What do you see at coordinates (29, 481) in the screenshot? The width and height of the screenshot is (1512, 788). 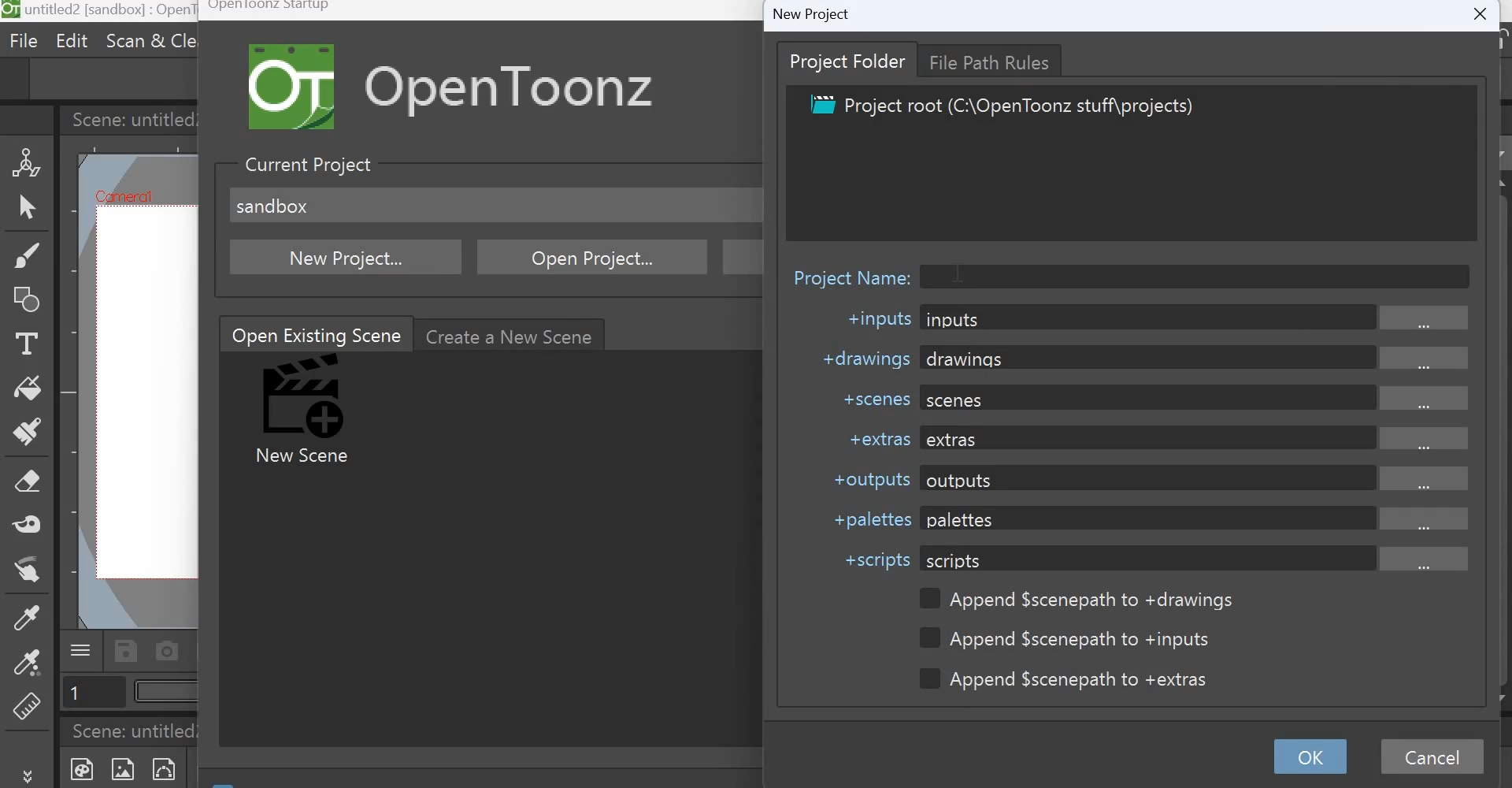 I see `Eraser tool` at bounding box center [29, 481].